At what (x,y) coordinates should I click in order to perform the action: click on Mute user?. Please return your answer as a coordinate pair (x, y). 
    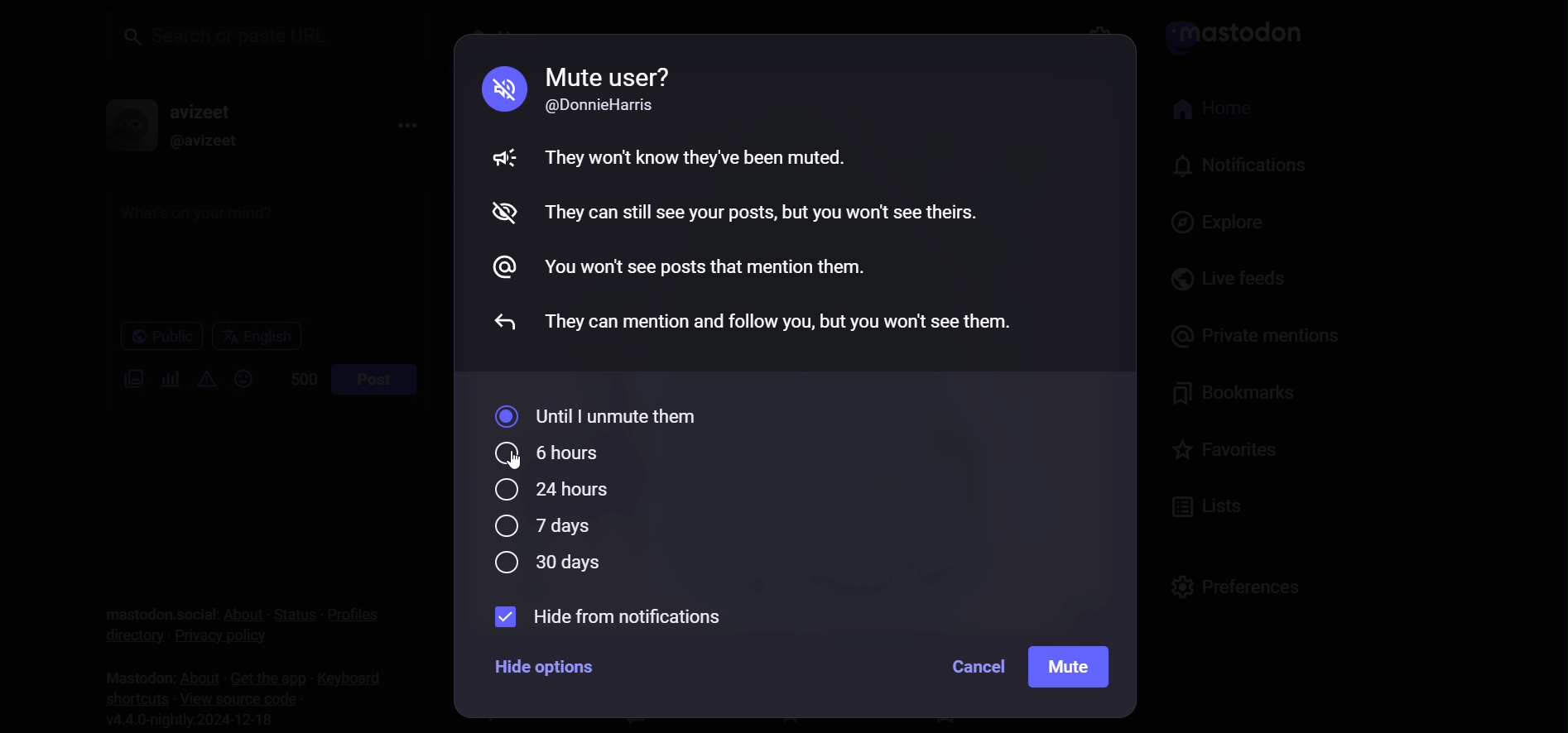
    Looking at the image, I should click on (609, 75).